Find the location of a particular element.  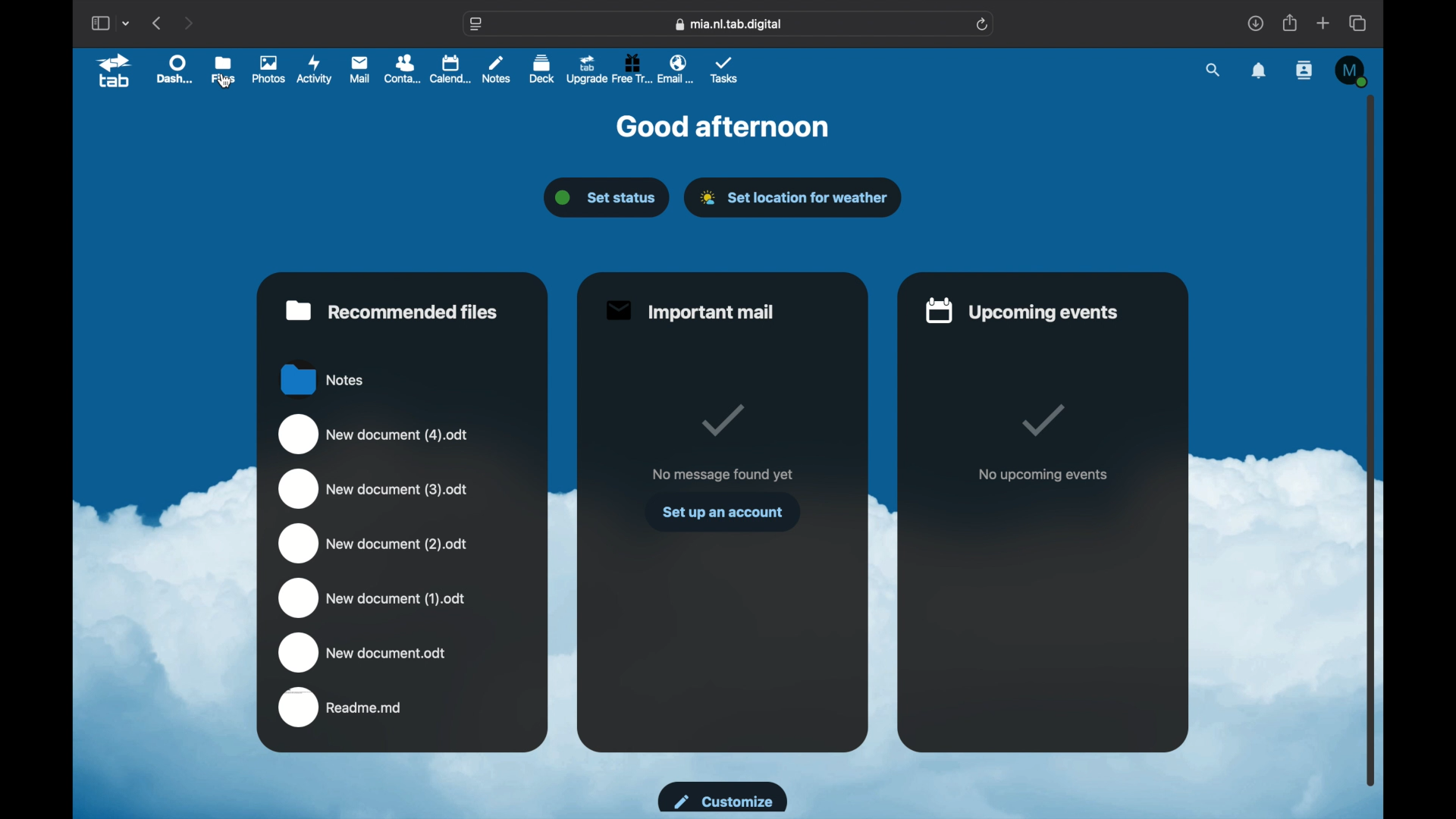

new document is located at coordinates (372, 434).